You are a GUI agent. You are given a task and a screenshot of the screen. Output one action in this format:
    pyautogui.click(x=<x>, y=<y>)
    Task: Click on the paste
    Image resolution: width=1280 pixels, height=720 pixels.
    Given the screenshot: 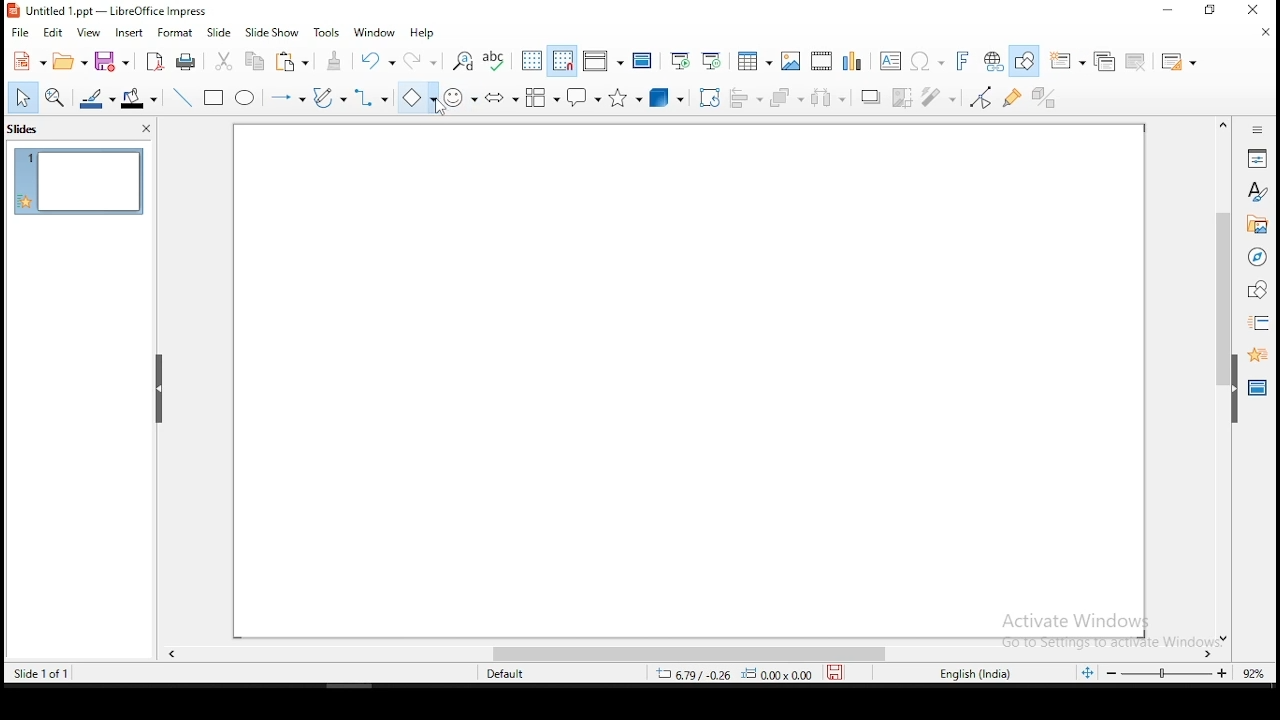 What is the action you would take?
    pyautogui.click(x=336, y=61)
    